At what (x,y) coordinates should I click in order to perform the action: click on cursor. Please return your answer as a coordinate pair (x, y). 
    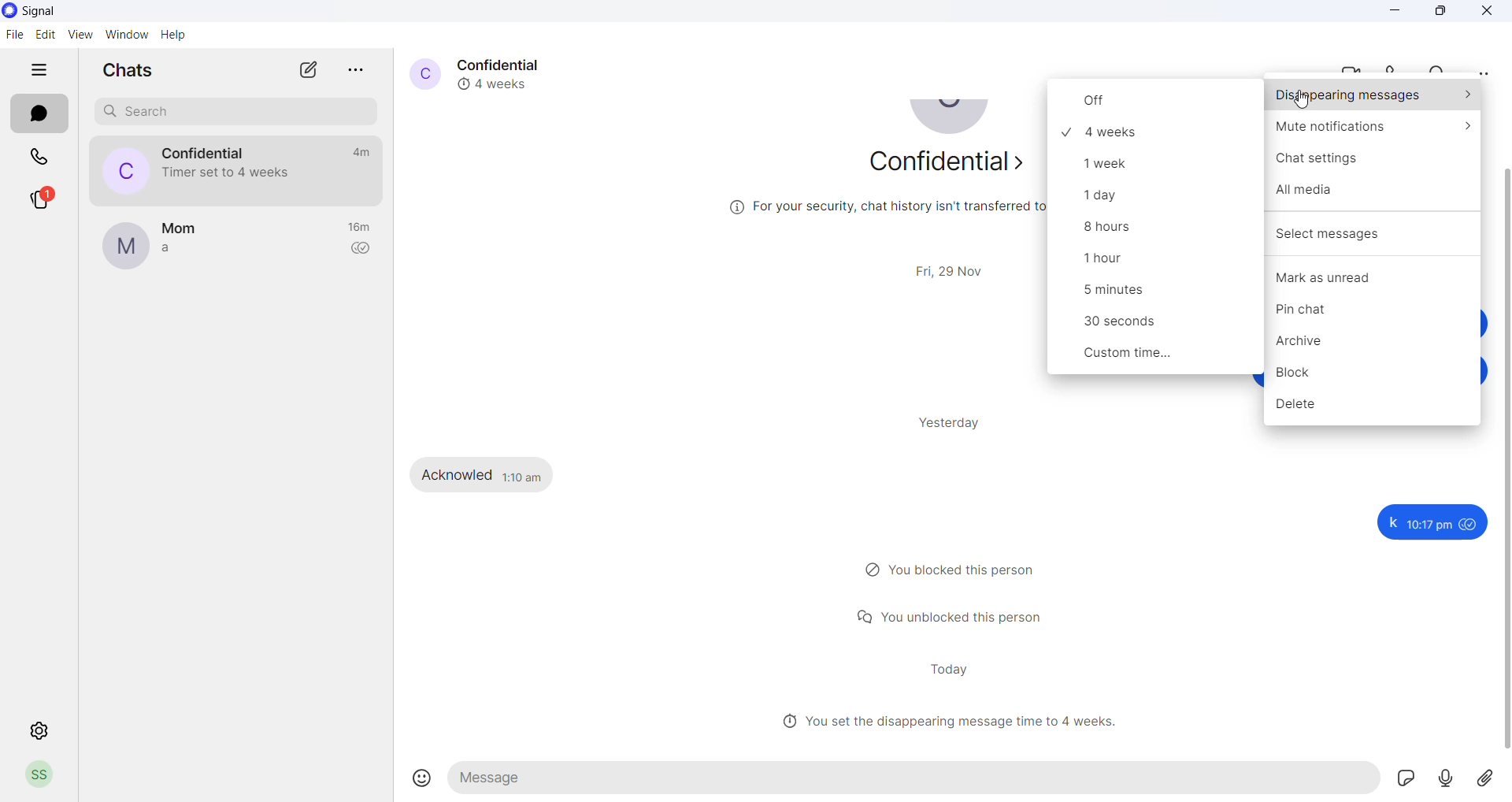
    Looking at the image, I should click on (1300, 103).